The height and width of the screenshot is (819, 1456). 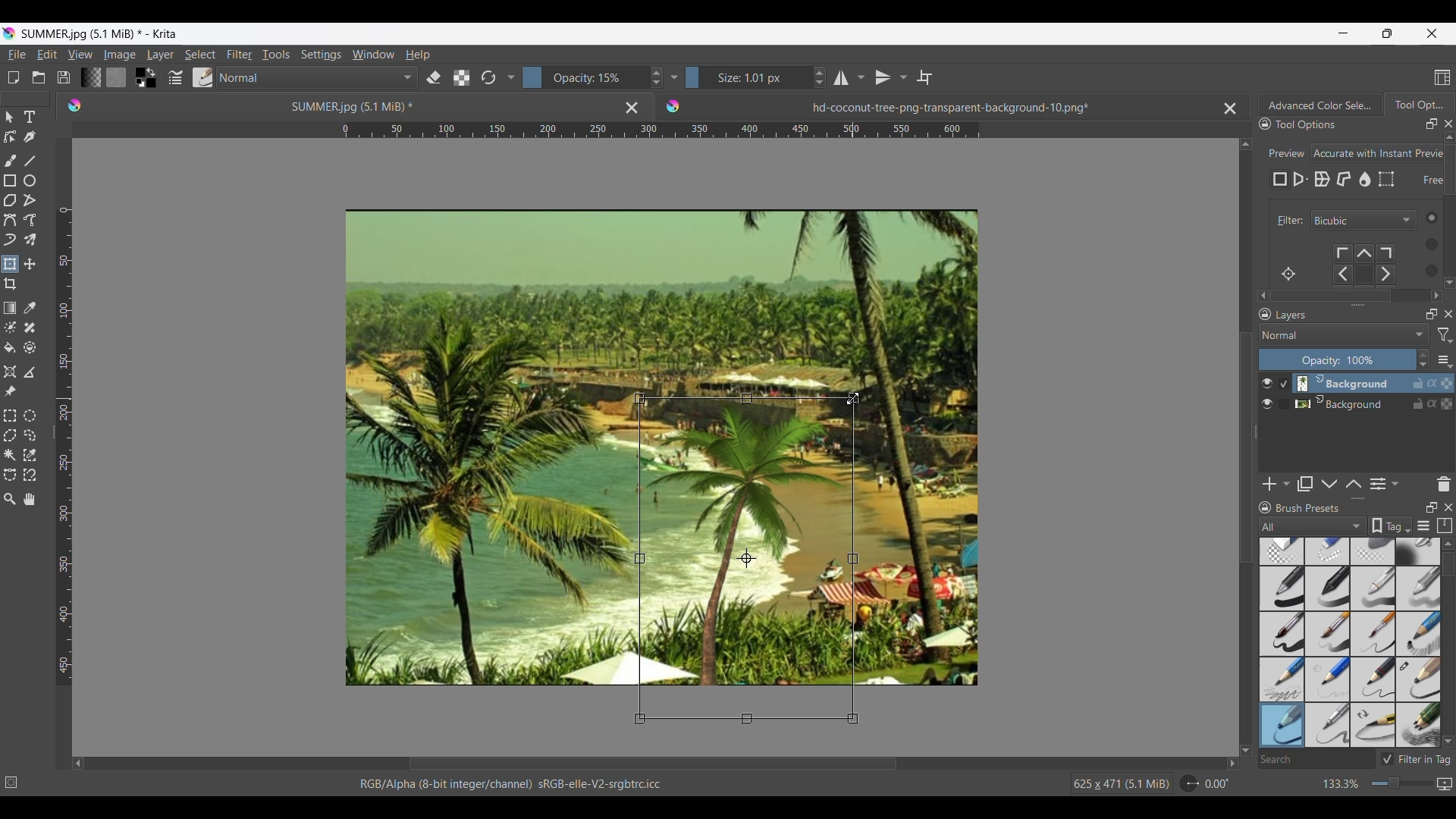 What do you see at coordinates (30, 372) in the screenshot?
I see `Measure the distance between two points` at bounding box center [30, 372].